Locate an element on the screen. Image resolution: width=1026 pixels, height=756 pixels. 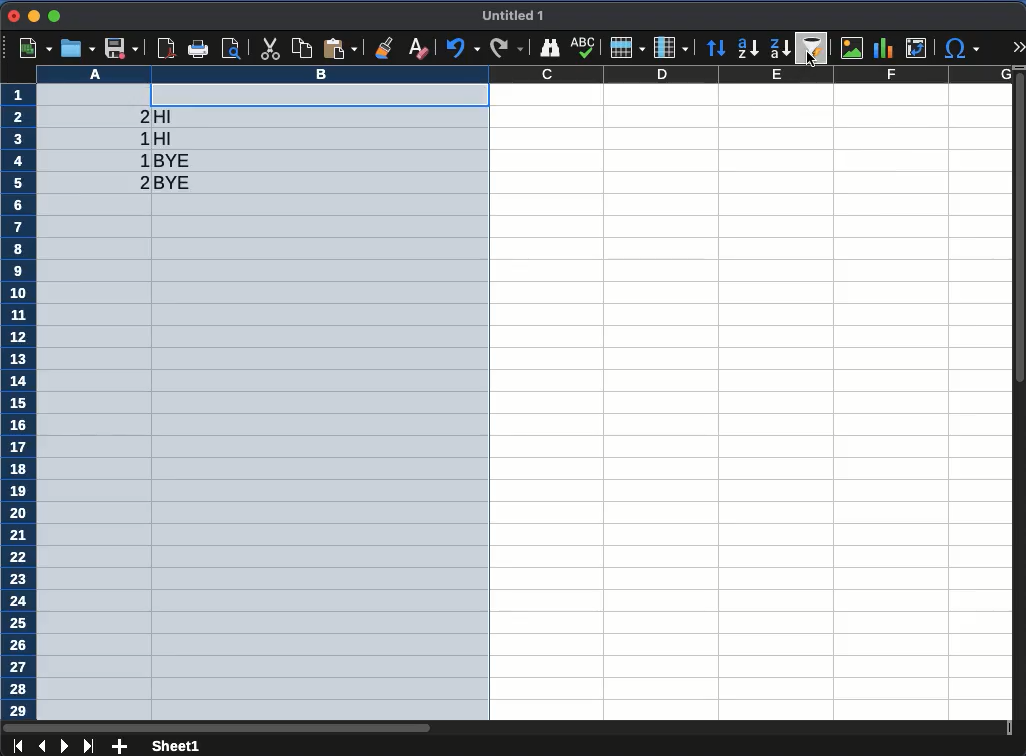
untitled 1 is located at coordinates (514, 15).